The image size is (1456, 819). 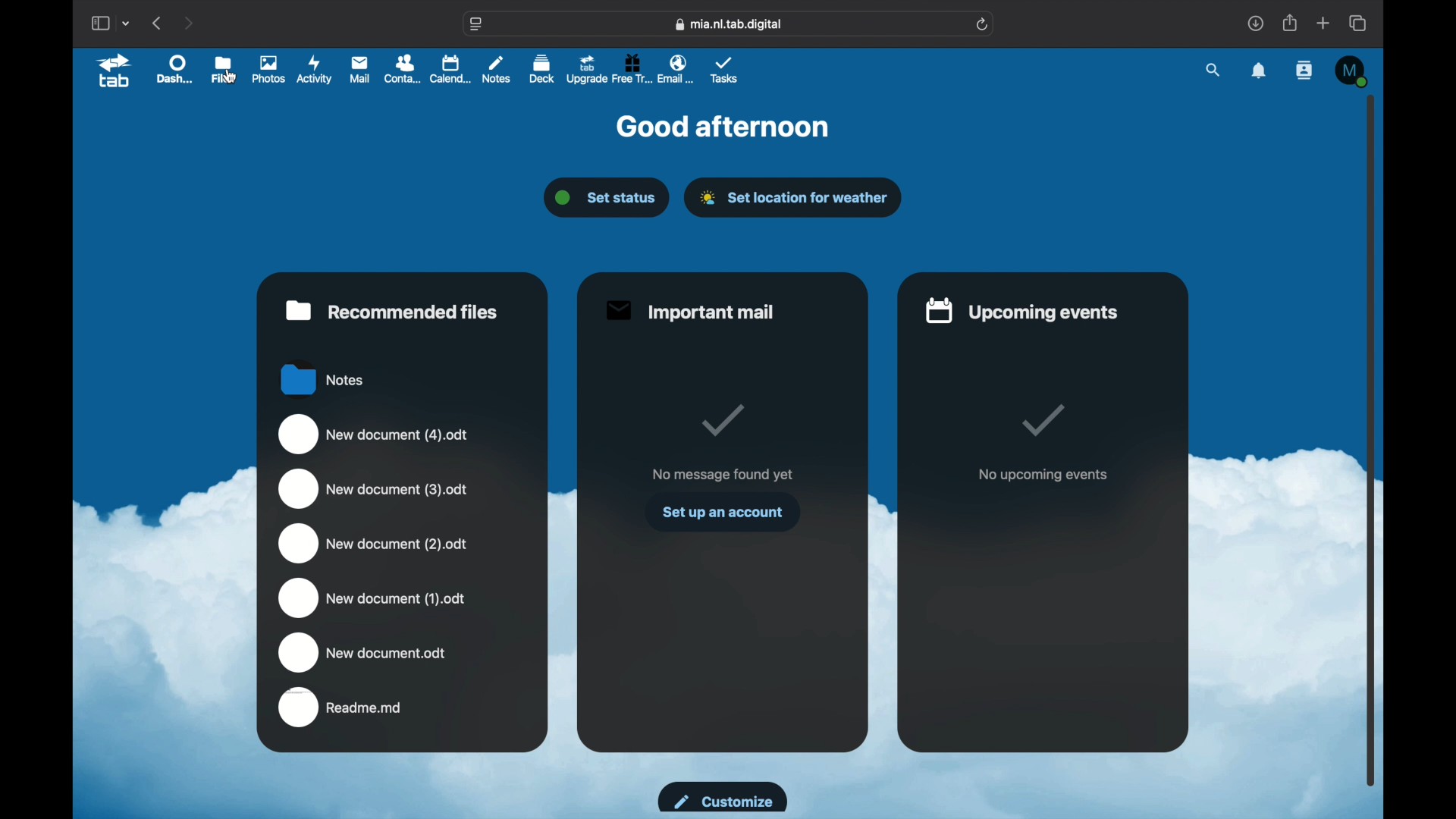 What do you see at coordinates (723, 512) in the screenshot?
I see `set up an account` at bounding box center [723, 512].